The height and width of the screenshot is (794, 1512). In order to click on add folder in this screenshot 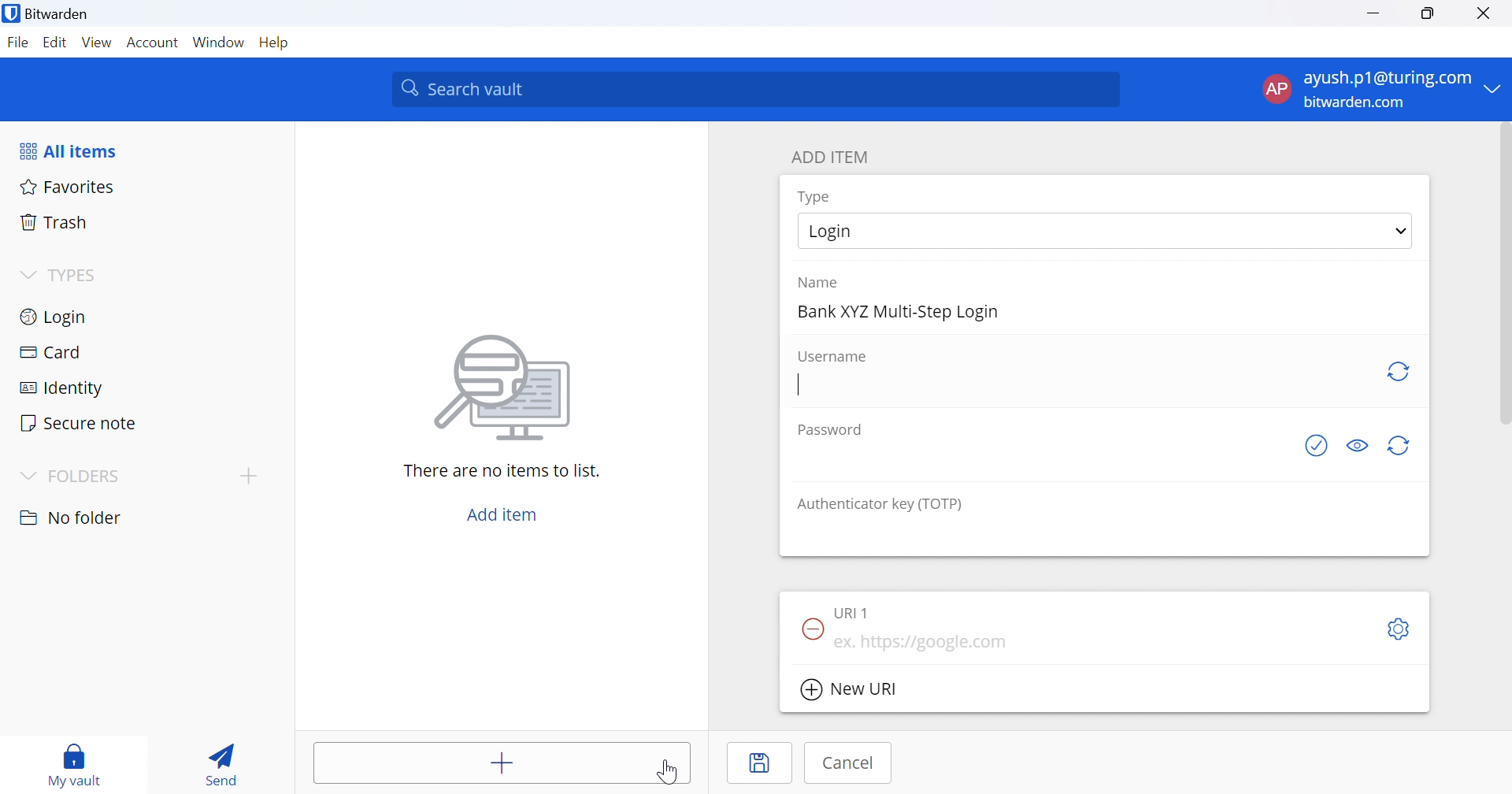, I will do `click(252, 476)`.